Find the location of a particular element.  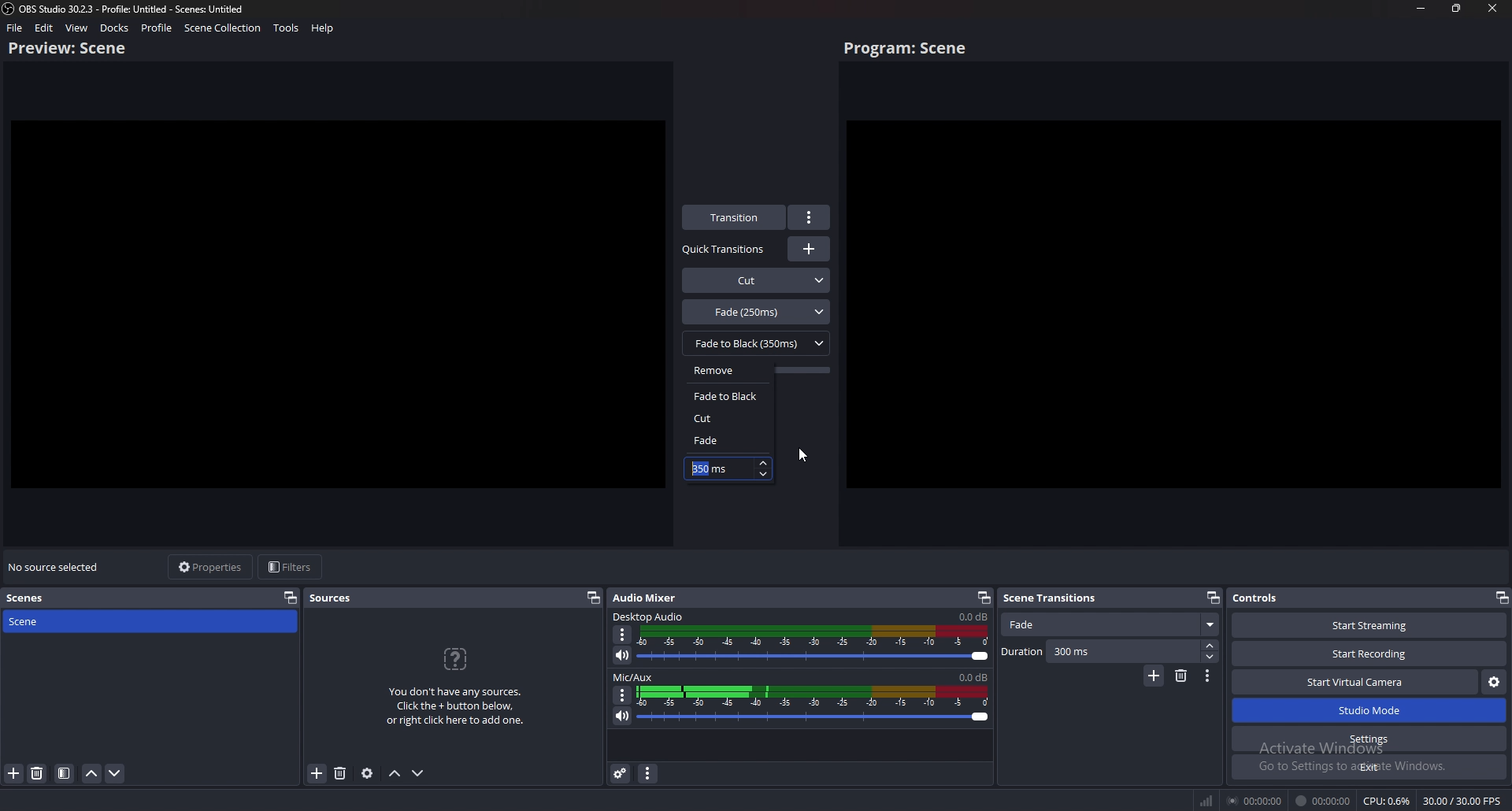

network is located at coordinates (1204, 801).